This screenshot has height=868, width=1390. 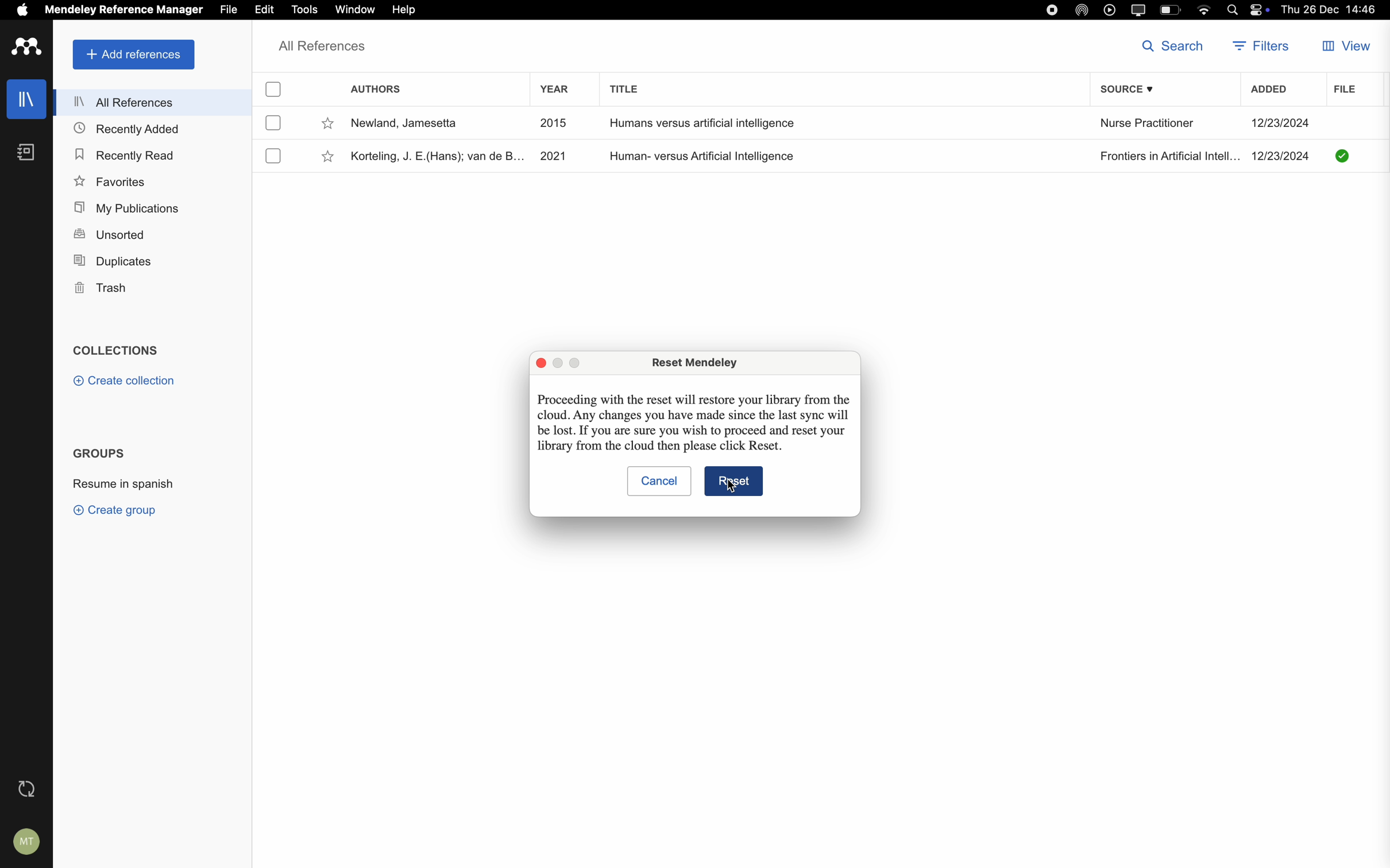 What do you see at coordinates (29, 153) in the screenshot?
I see `notebooks icon` at bounding box center [29, 153].